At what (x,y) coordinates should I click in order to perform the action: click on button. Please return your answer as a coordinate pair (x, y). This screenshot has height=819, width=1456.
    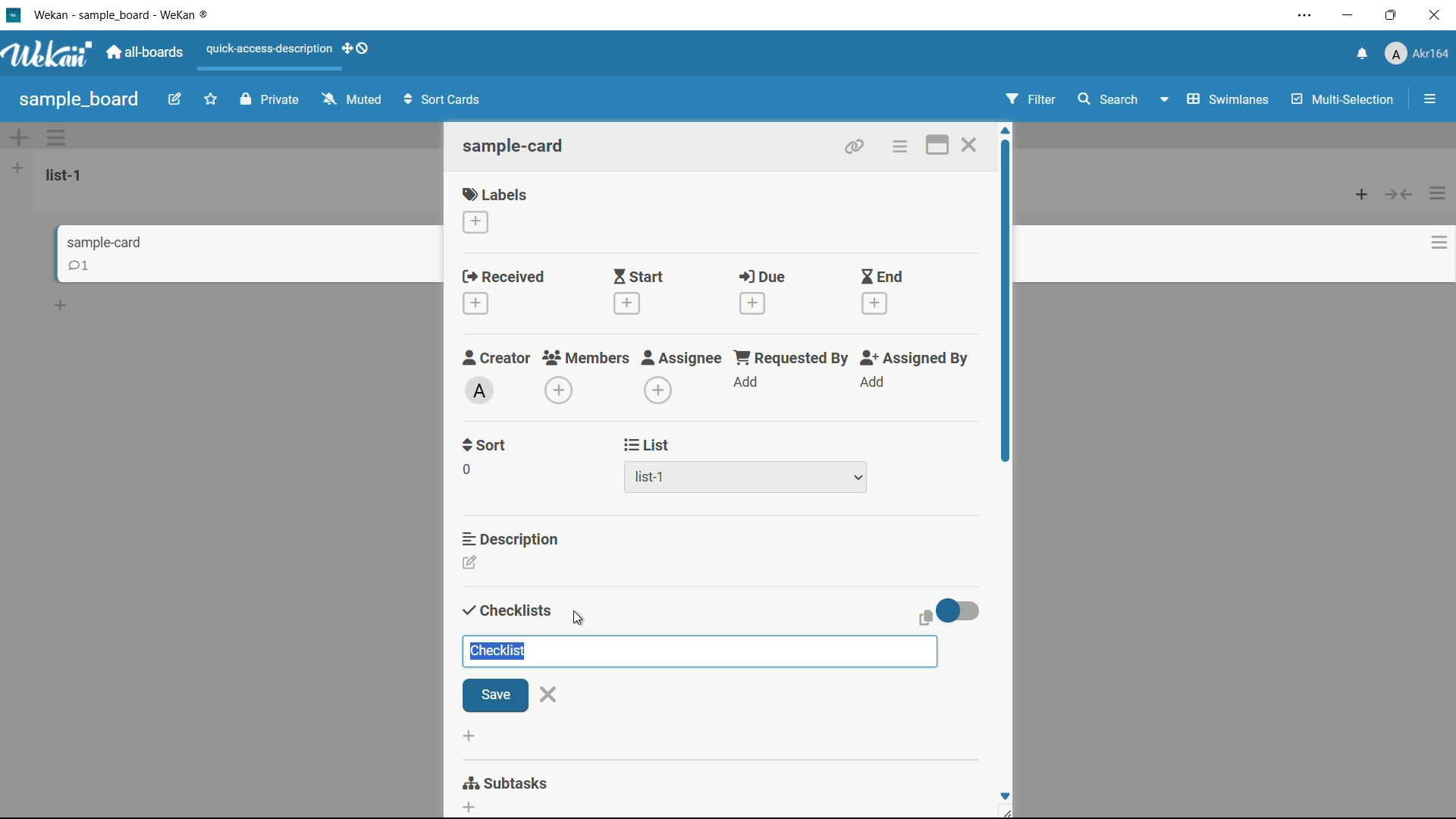
    Looking at the image, I should click on (1403, 193).